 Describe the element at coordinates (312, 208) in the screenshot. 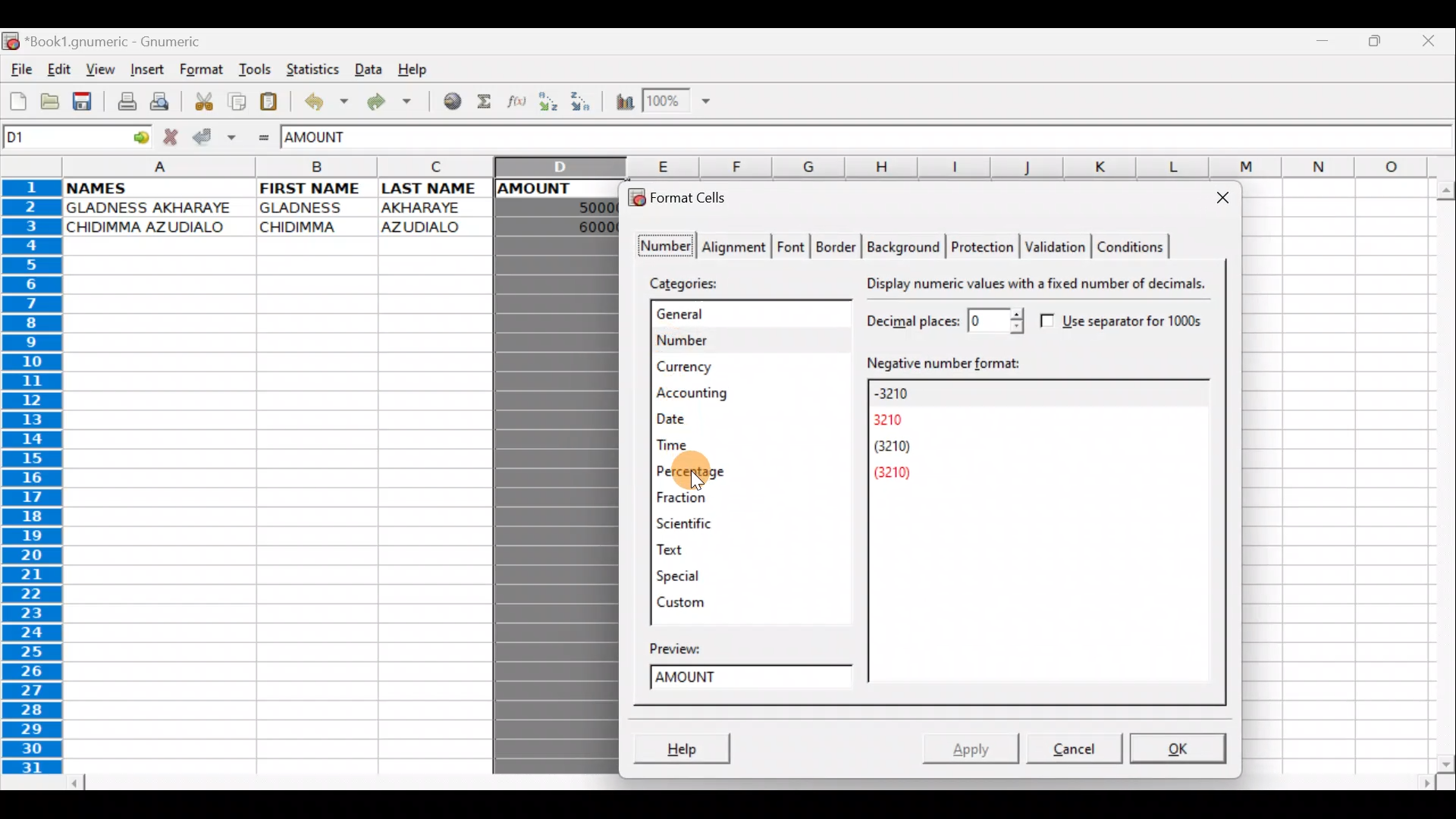

I see `GLADNESS` at that location.